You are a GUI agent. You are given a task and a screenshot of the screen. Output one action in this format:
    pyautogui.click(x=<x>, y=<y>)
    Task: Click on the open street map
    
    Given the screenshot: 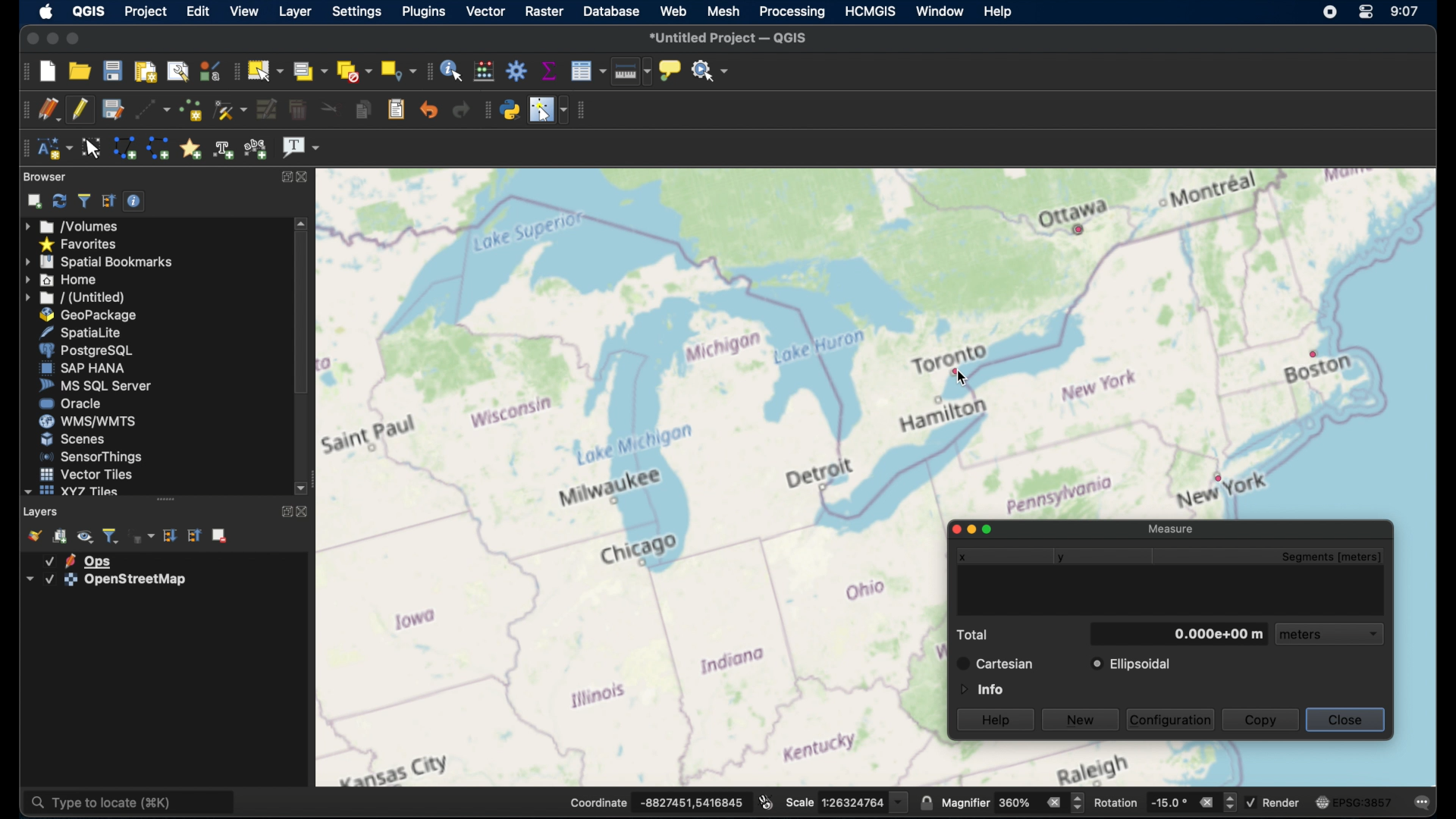 What is the action you would take?
    pyautogui.click(x=1323, y=424)
    